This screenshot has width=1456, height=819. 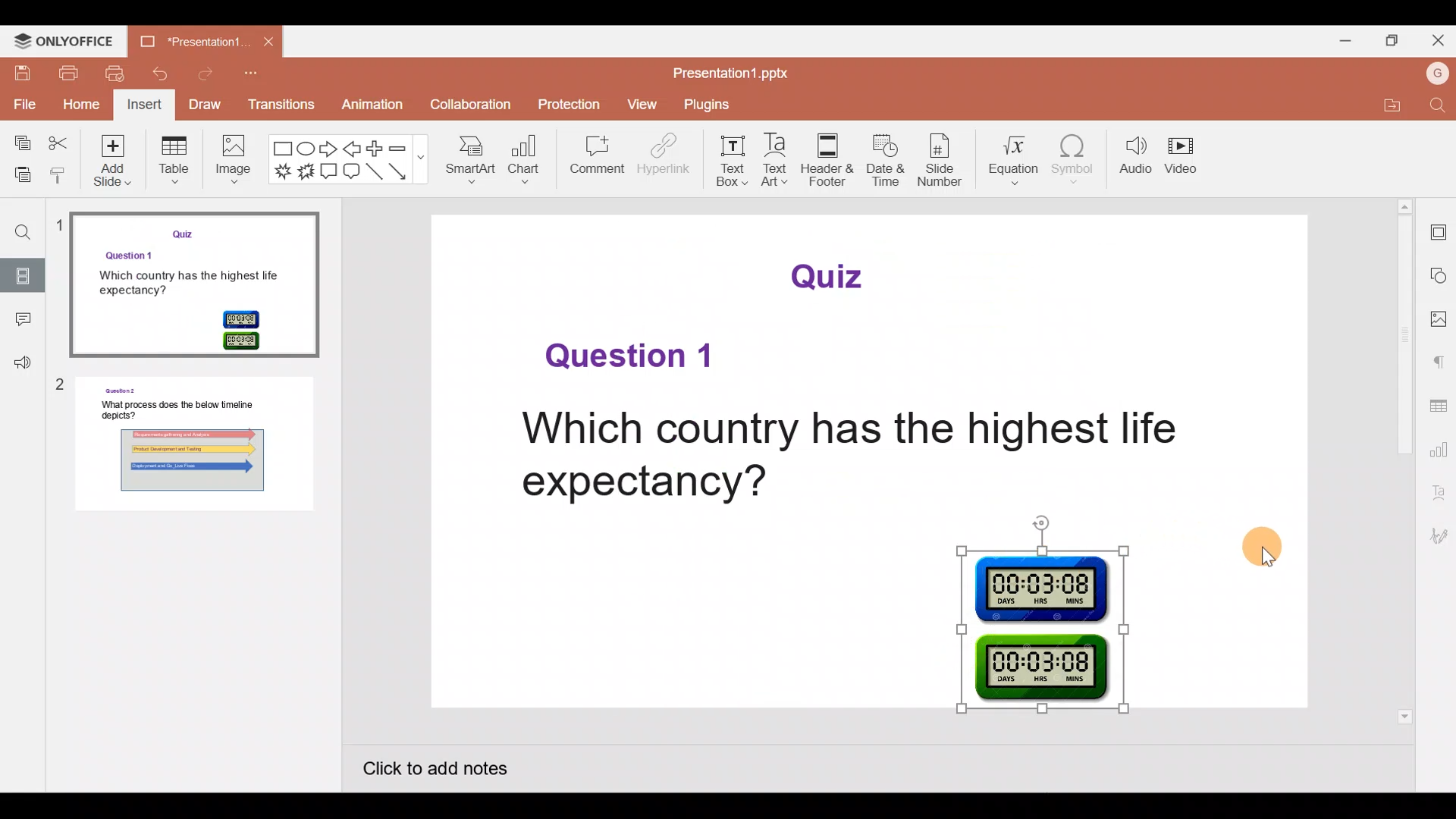 I want to click on Rectangle, so click(x=279, y=147).